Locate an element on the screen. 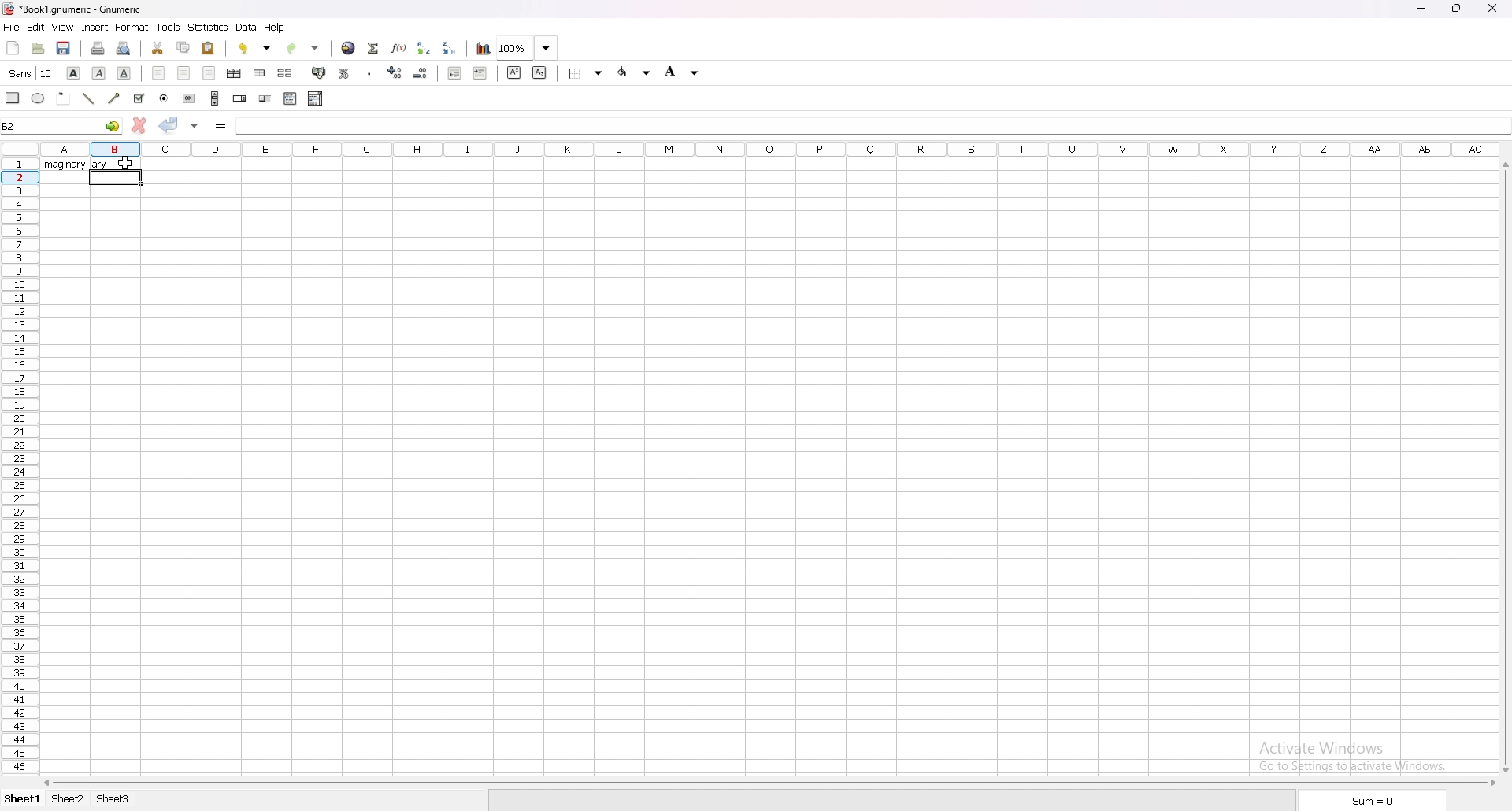  file name is located at coordinates (73, 9).